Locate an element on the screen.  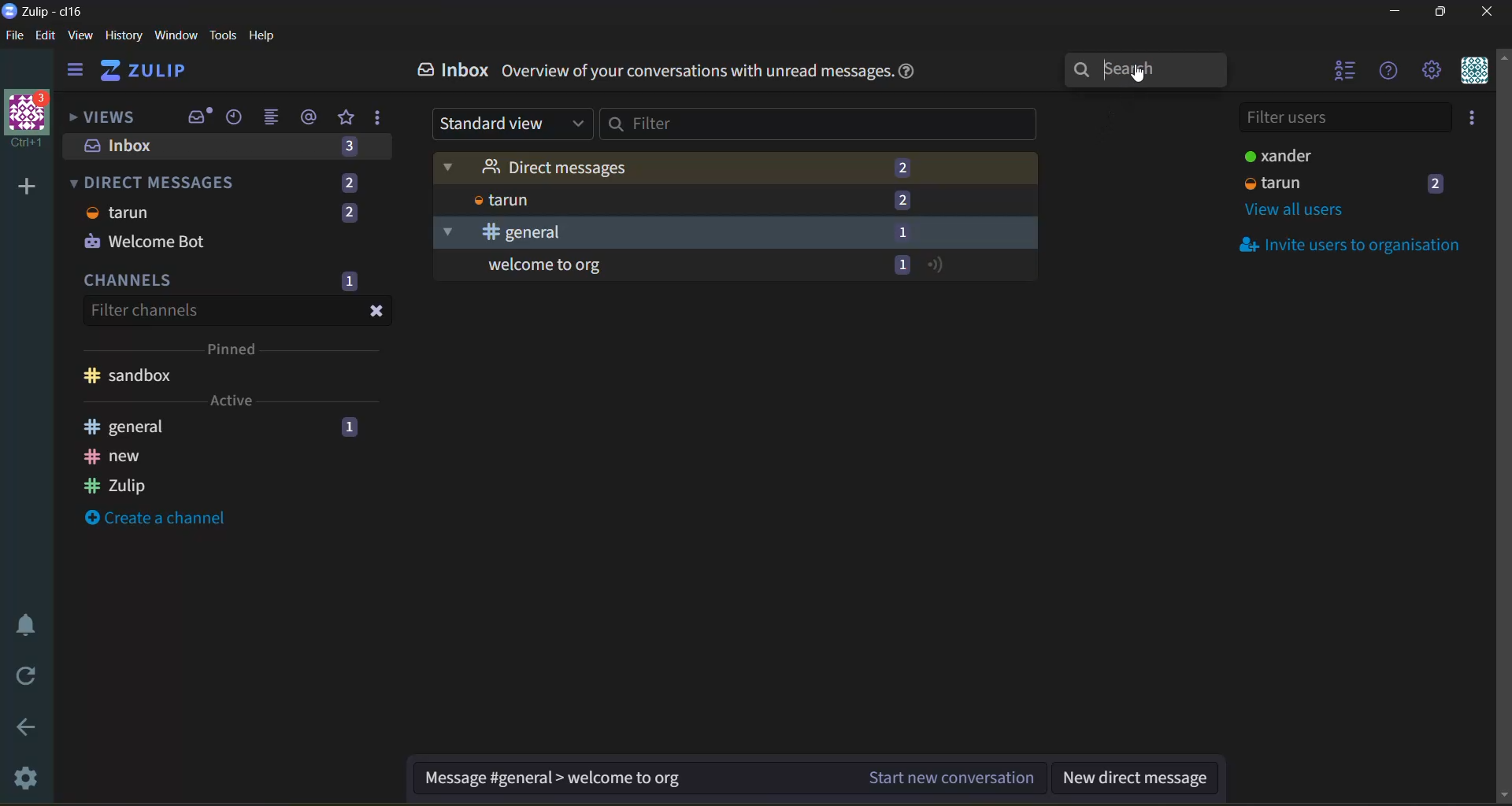
reload is located at coordinates (28, 673).